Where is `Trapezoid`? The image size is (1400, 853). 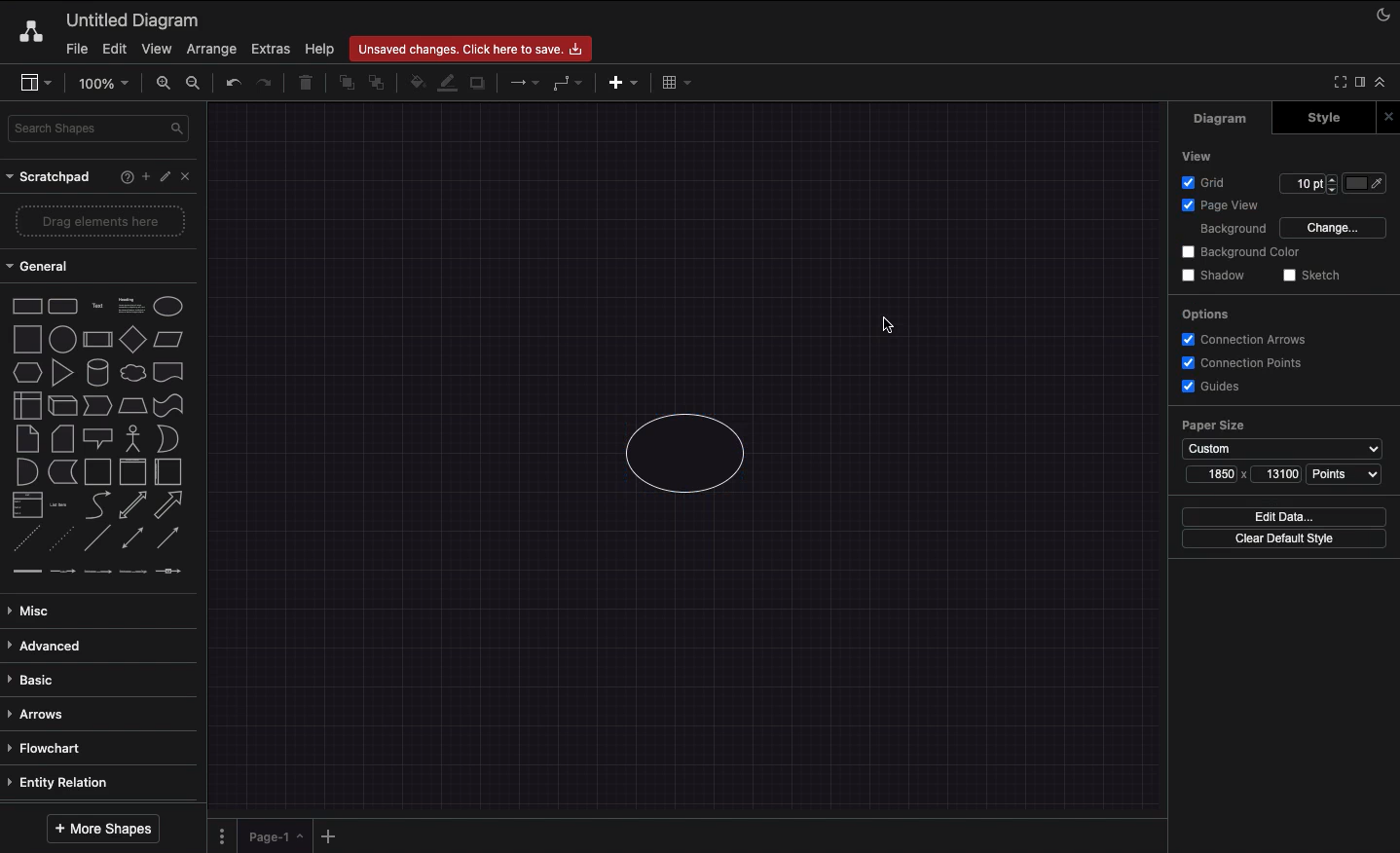
Trapezoid is located at coordinates (130, 406).